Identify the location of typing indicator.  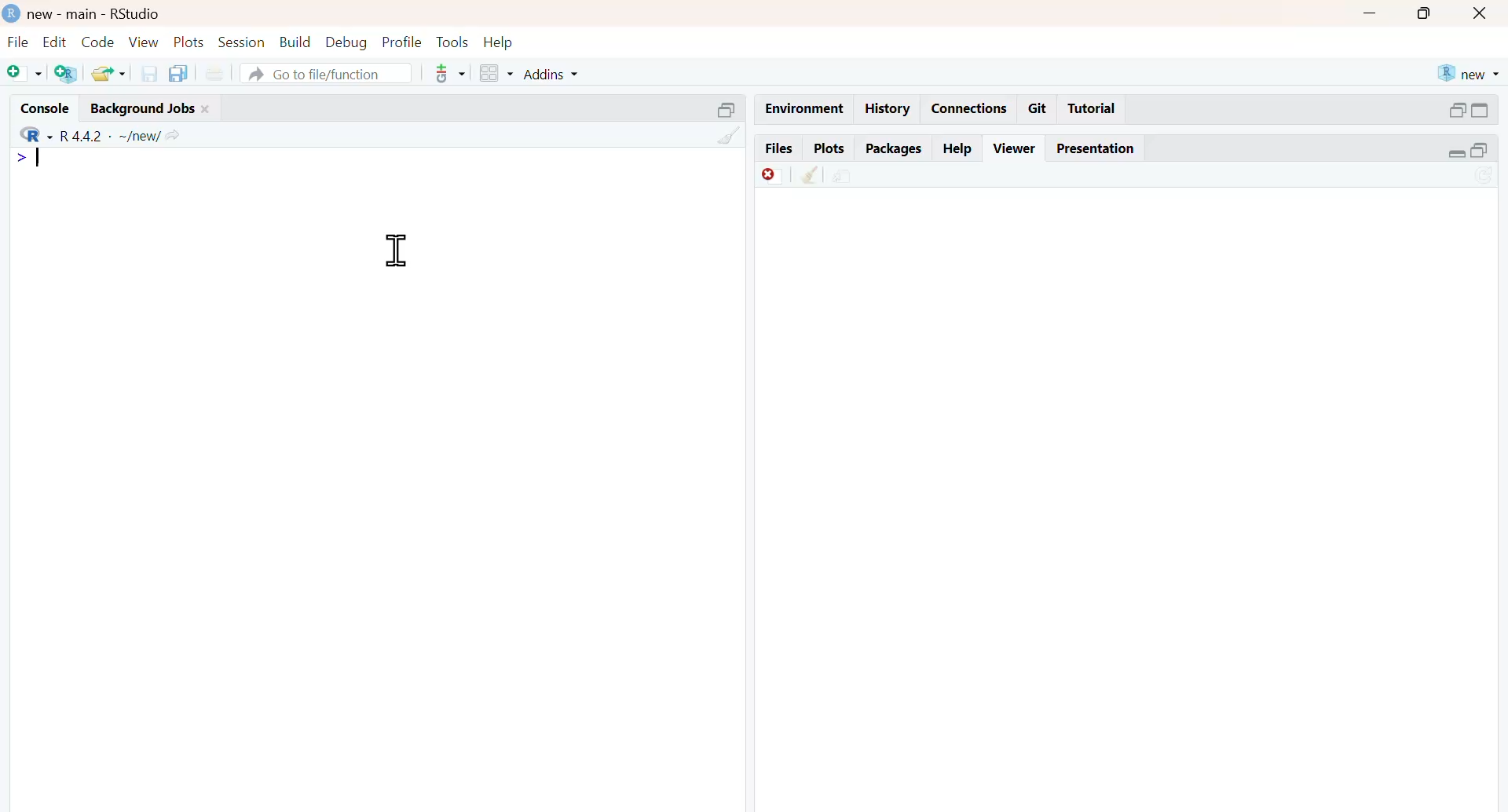
(40, 157).